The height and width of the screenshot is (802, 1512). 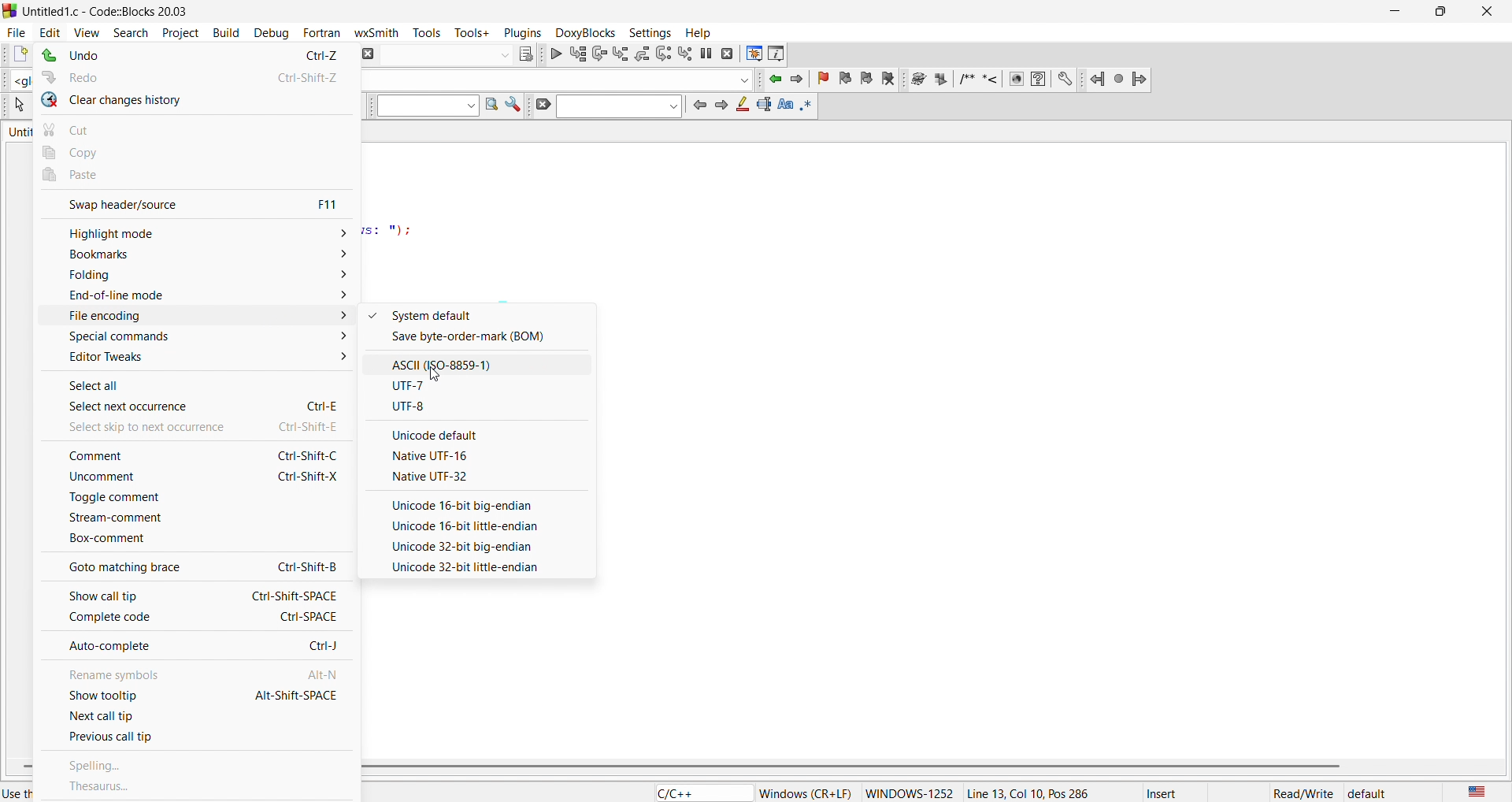 What do you see at coordinates (197, 717) in the screenshot?
I see `next call tip` at bounding box center [197, 717].